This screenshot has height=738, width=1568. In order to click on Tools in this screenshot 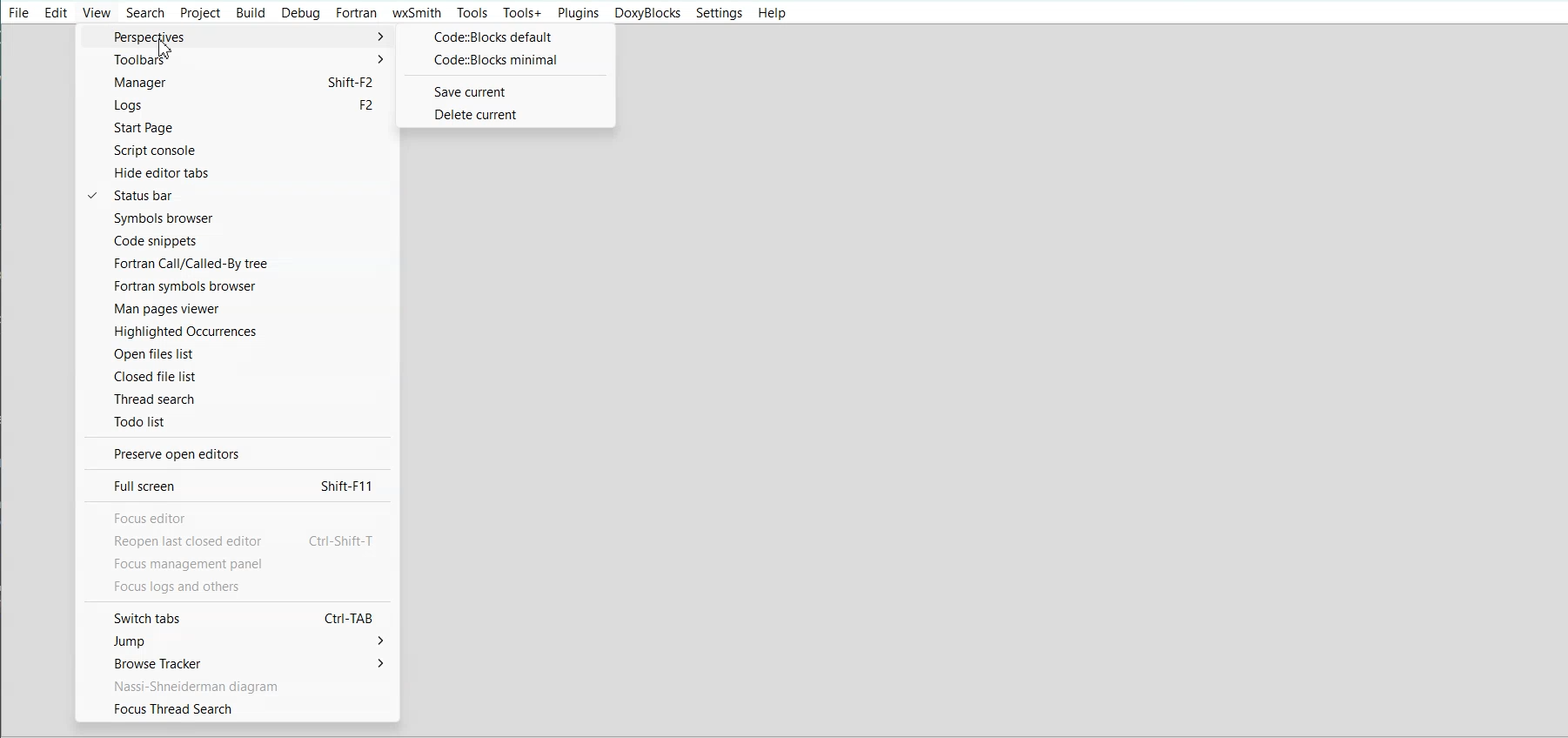, I will do `click(472, 12)`.